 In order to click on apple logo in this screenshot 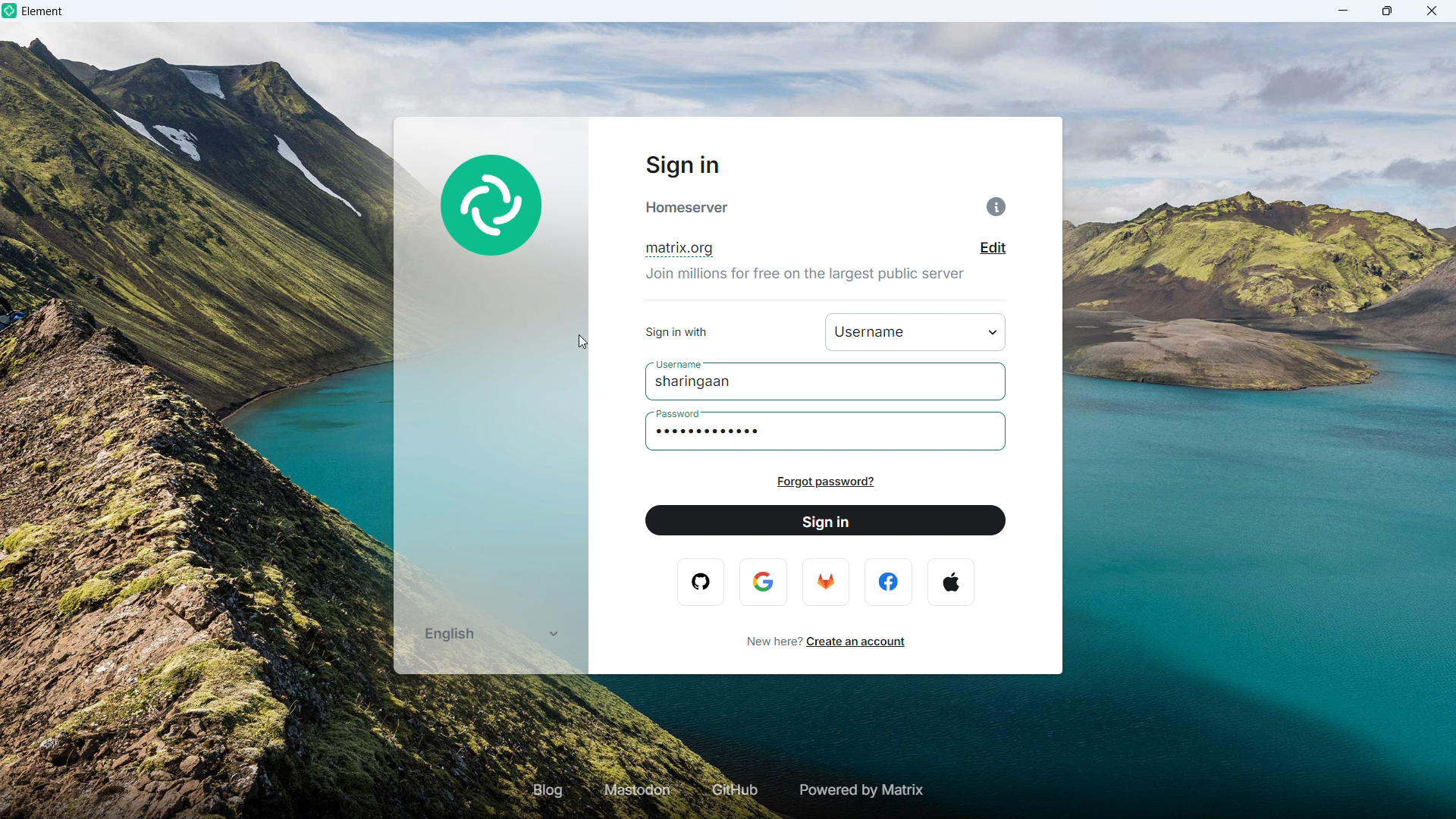, I will do `click(950, 582)`.